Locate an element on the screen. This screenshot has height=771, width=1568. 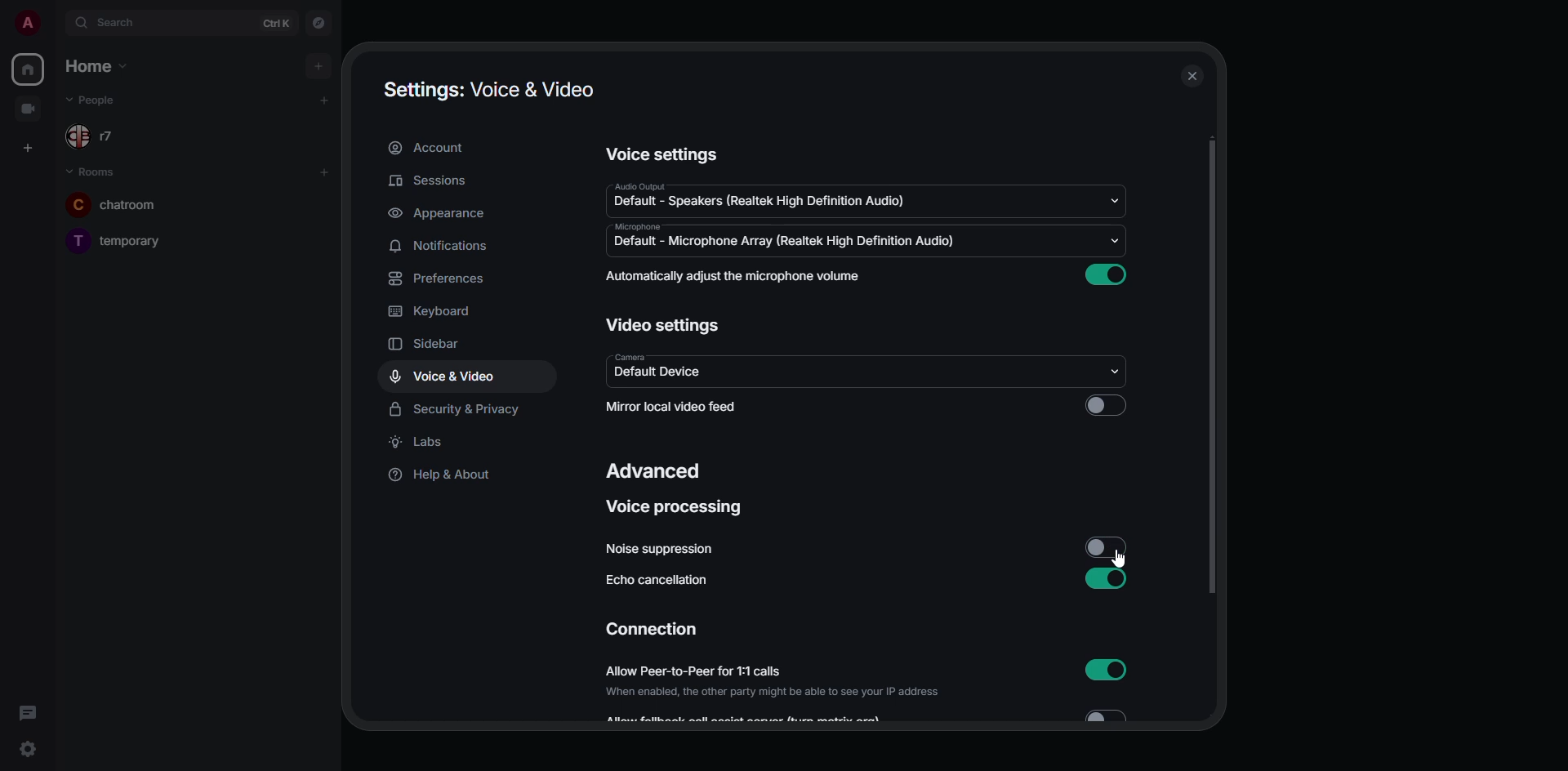
default is located at coordinates (786, 243).